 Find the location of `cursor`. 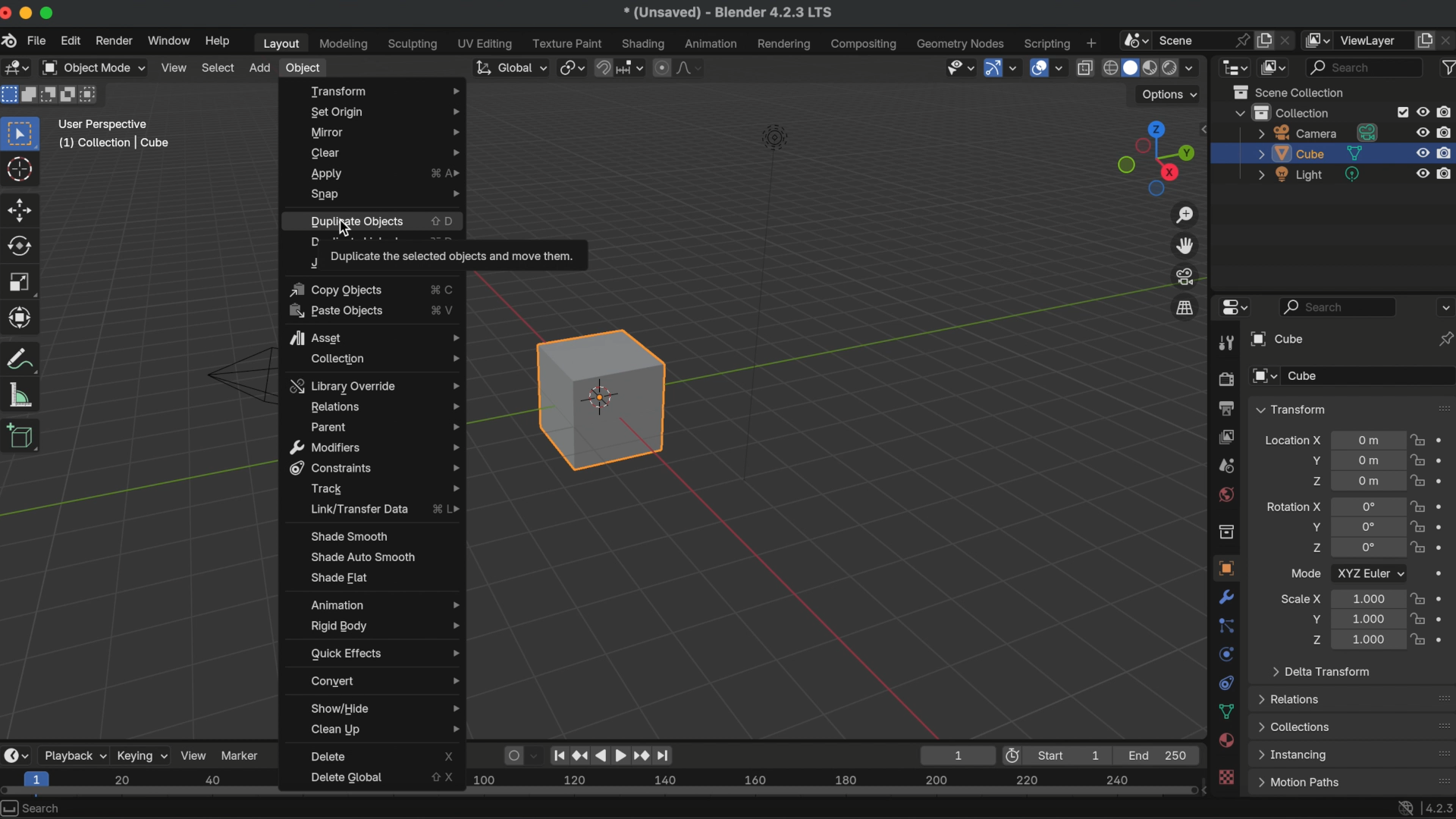

cursor is located at coordinates (347, 231).